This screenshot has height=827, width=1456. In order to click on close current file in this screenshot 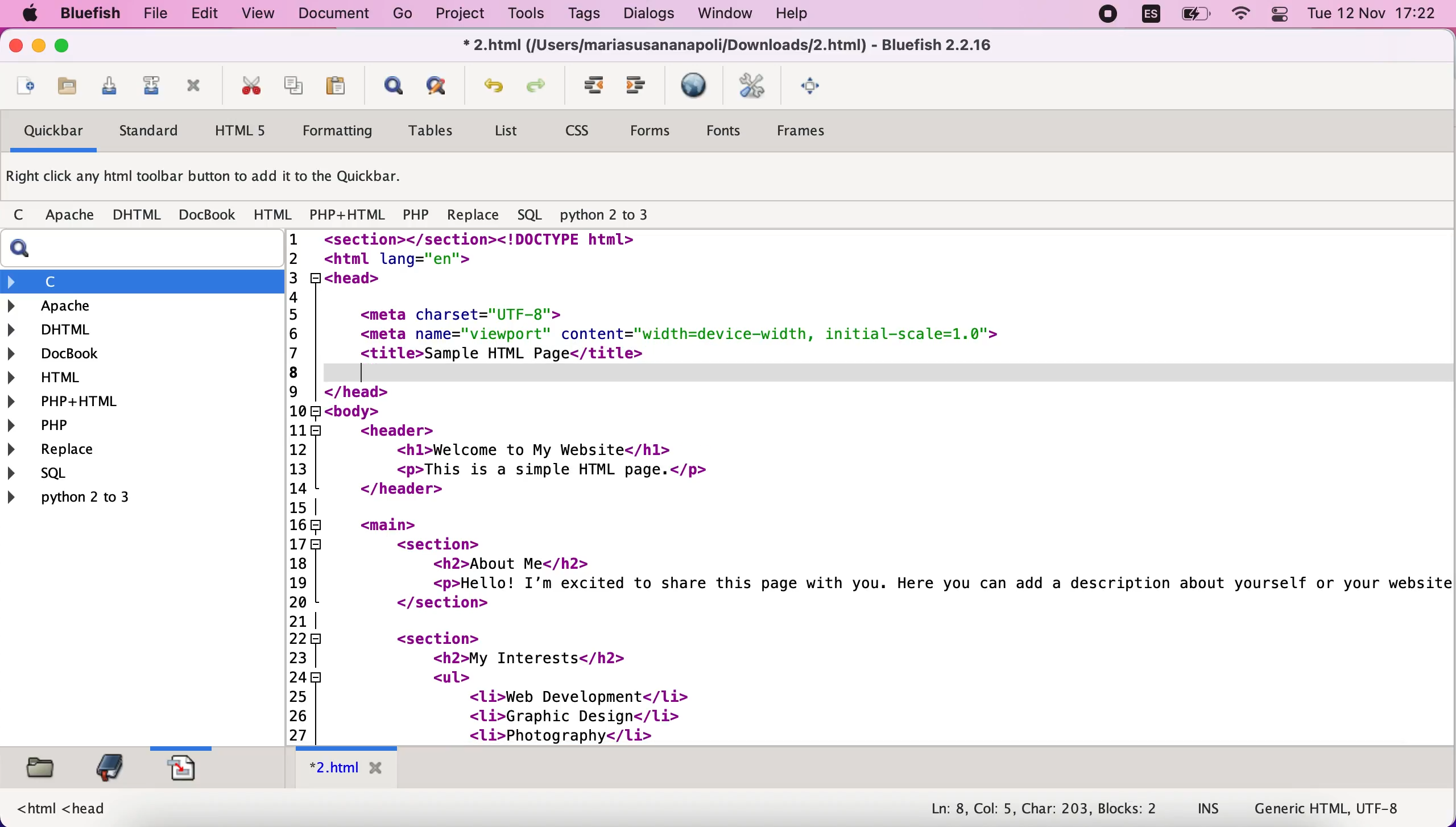, I will do `click(198, 86)`.